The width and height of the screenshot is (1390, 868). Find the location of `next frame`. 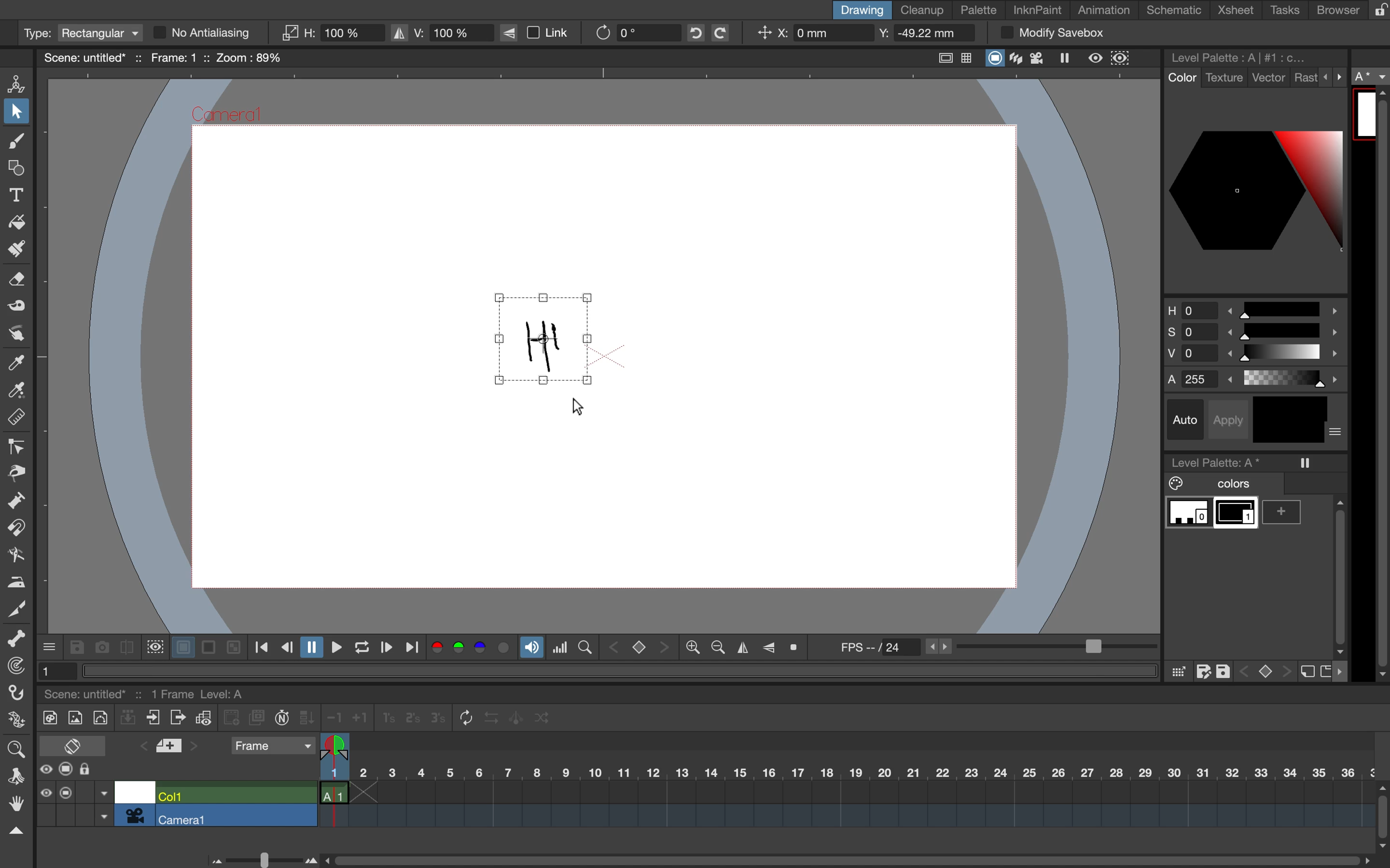

next frame is located at coordinates (385, 649).